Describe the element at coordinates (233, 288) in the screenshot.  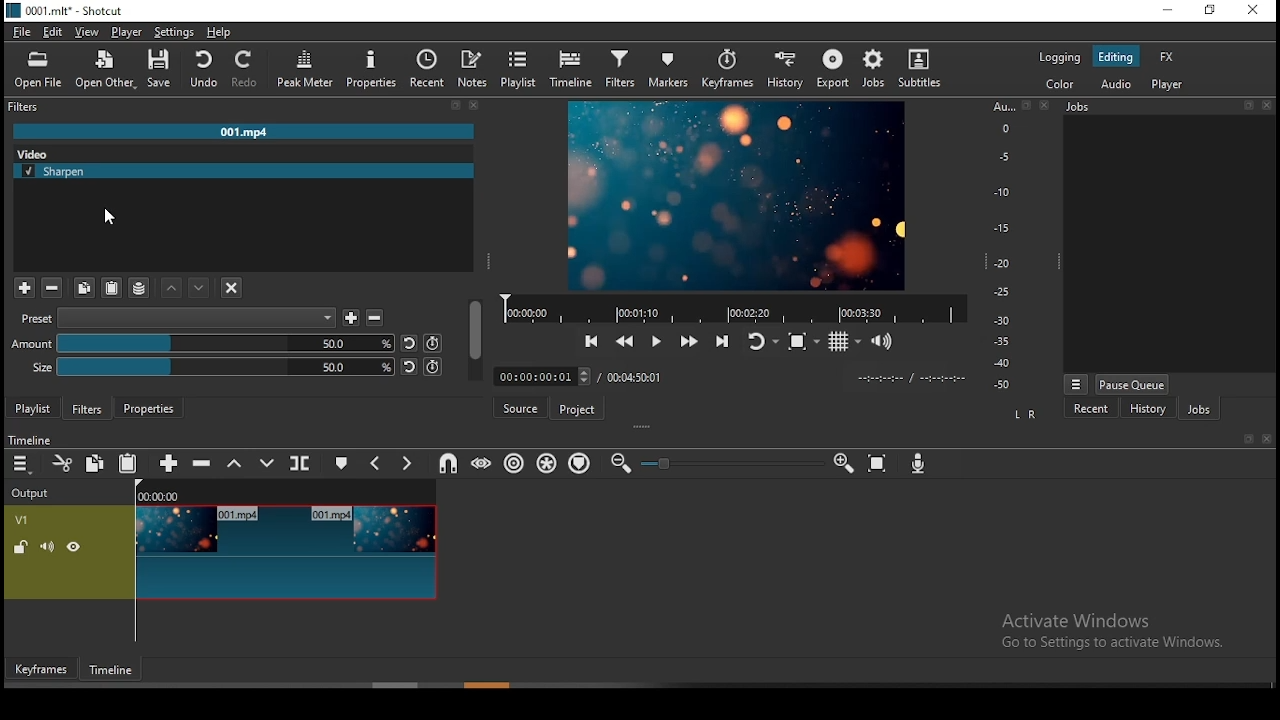
I see `deselect the filter` at that location.